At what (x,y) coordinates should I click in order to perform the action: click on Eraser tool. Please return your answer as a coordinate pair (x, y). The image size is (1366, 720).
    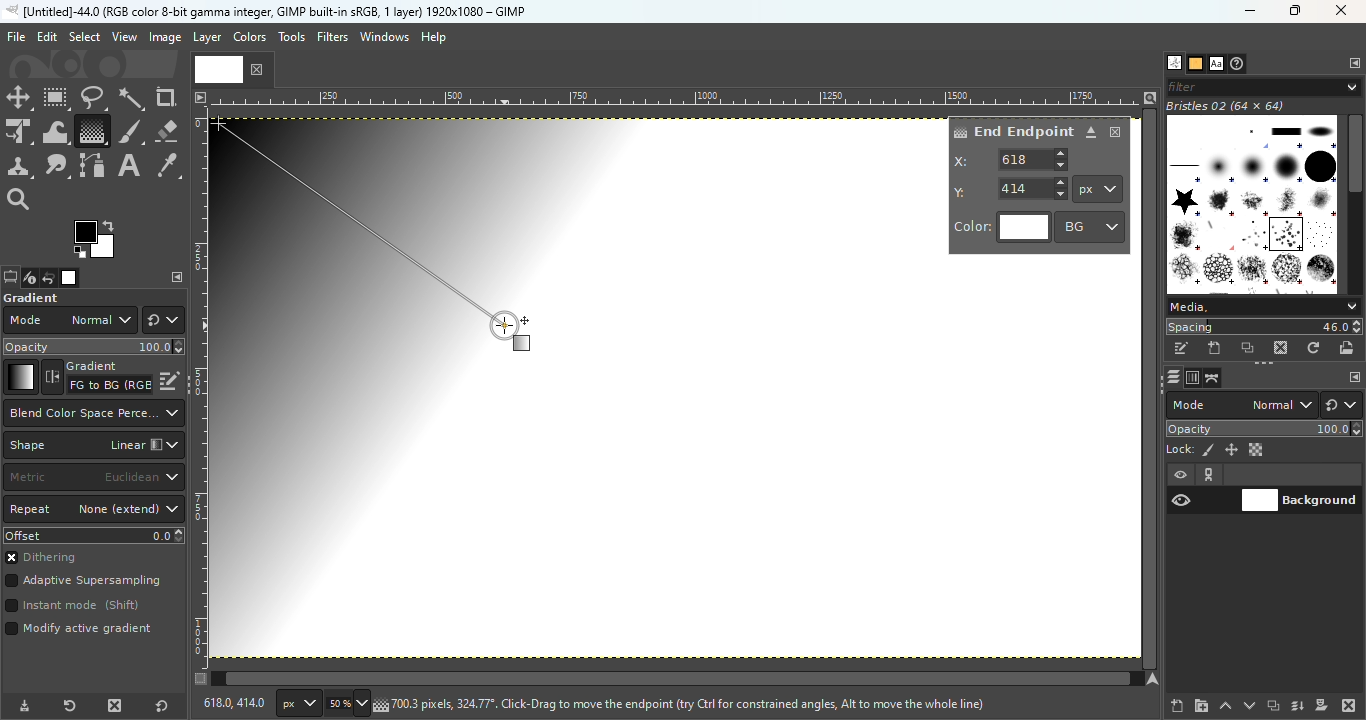
    Looking at the image, I should click on (166, 127).